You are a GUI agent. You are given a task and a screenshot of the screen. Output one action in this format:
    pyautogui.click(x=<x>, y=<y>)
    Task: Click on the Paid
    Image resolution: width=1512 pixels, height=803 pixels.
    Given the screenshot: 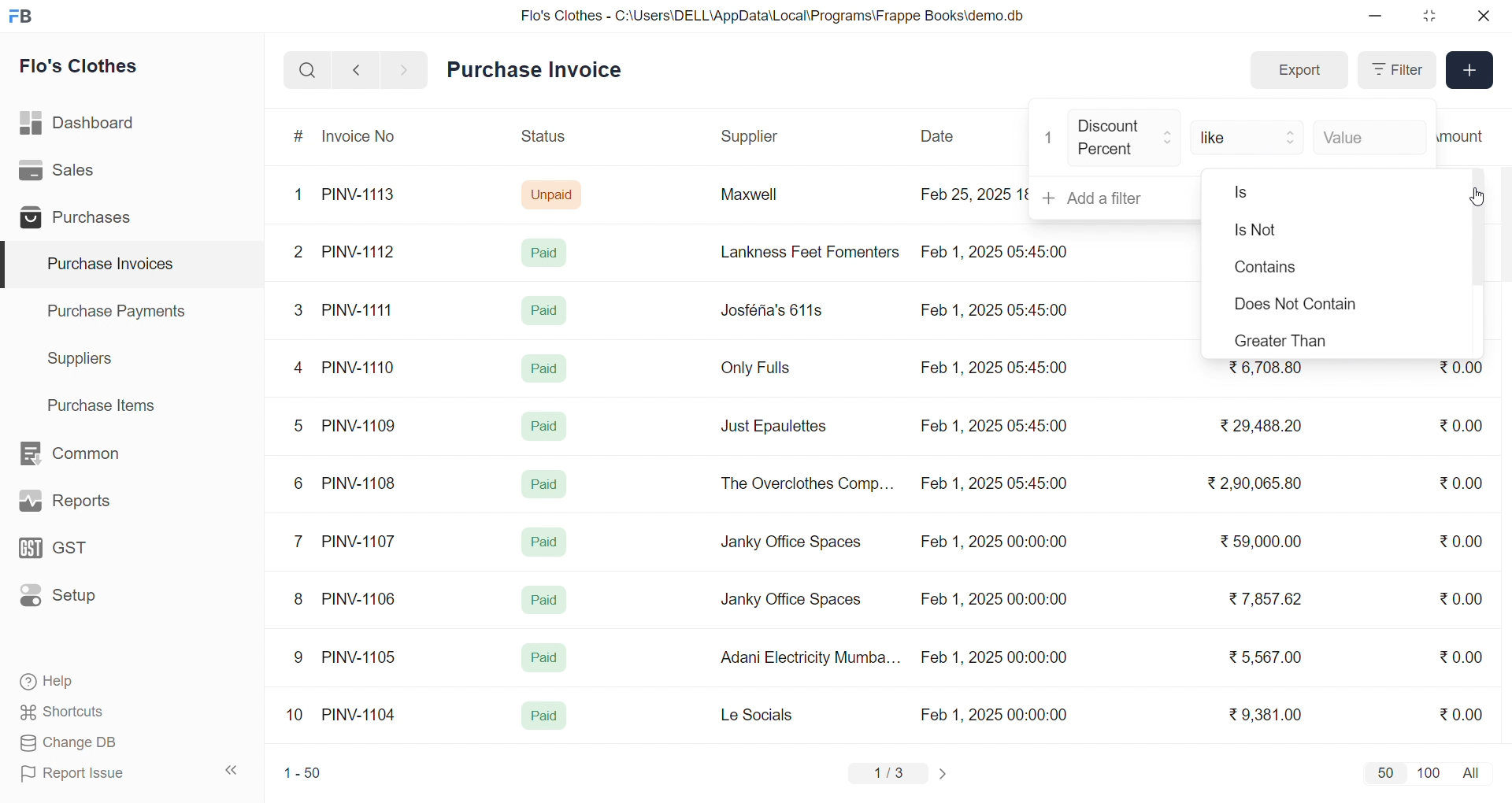 What is the action you would take?
    pyautogui.click(x=545, y=542)
    